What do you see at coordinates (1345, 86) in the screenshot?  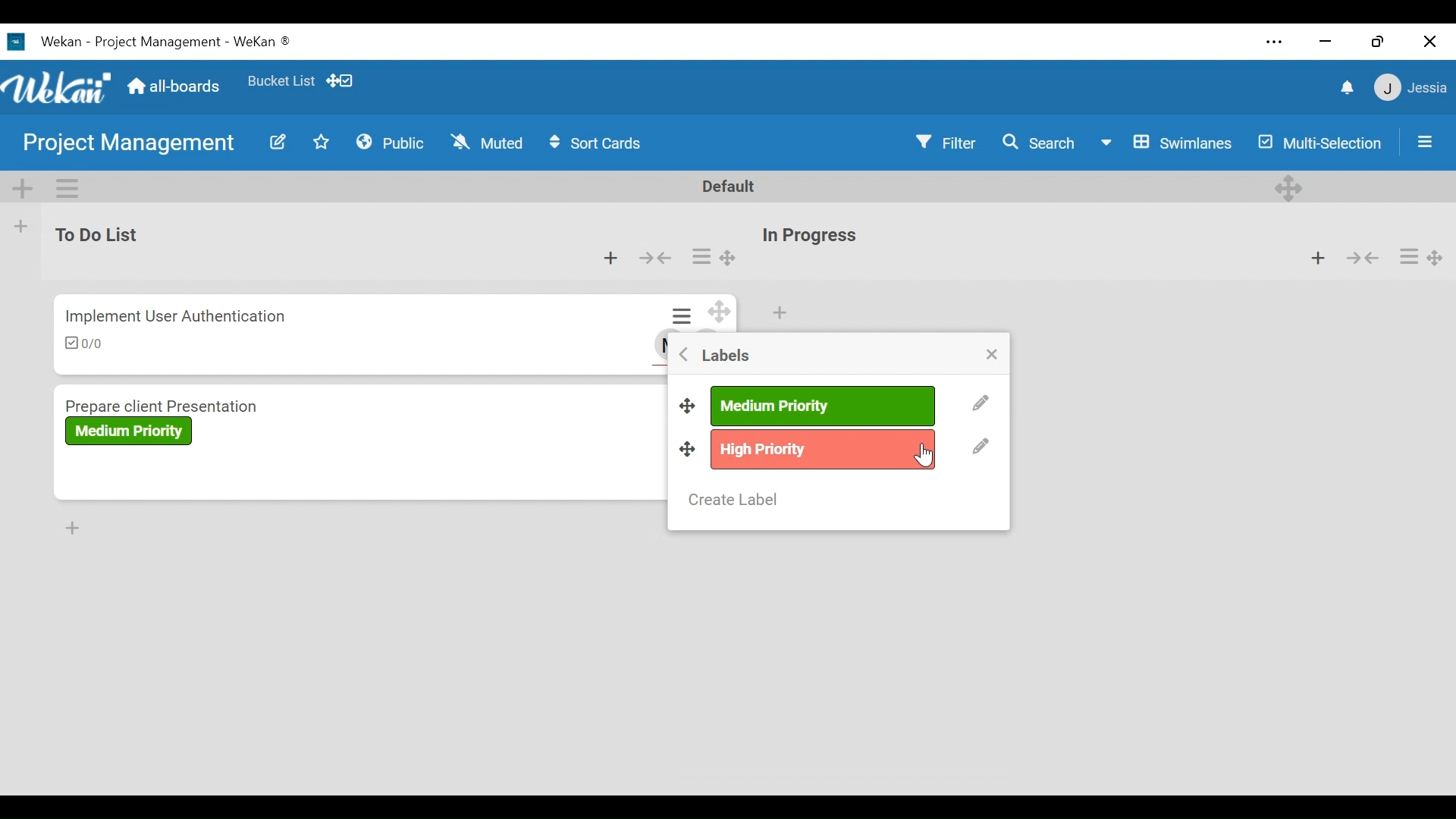 I see `notifications` at bounding box center [1345, 86].